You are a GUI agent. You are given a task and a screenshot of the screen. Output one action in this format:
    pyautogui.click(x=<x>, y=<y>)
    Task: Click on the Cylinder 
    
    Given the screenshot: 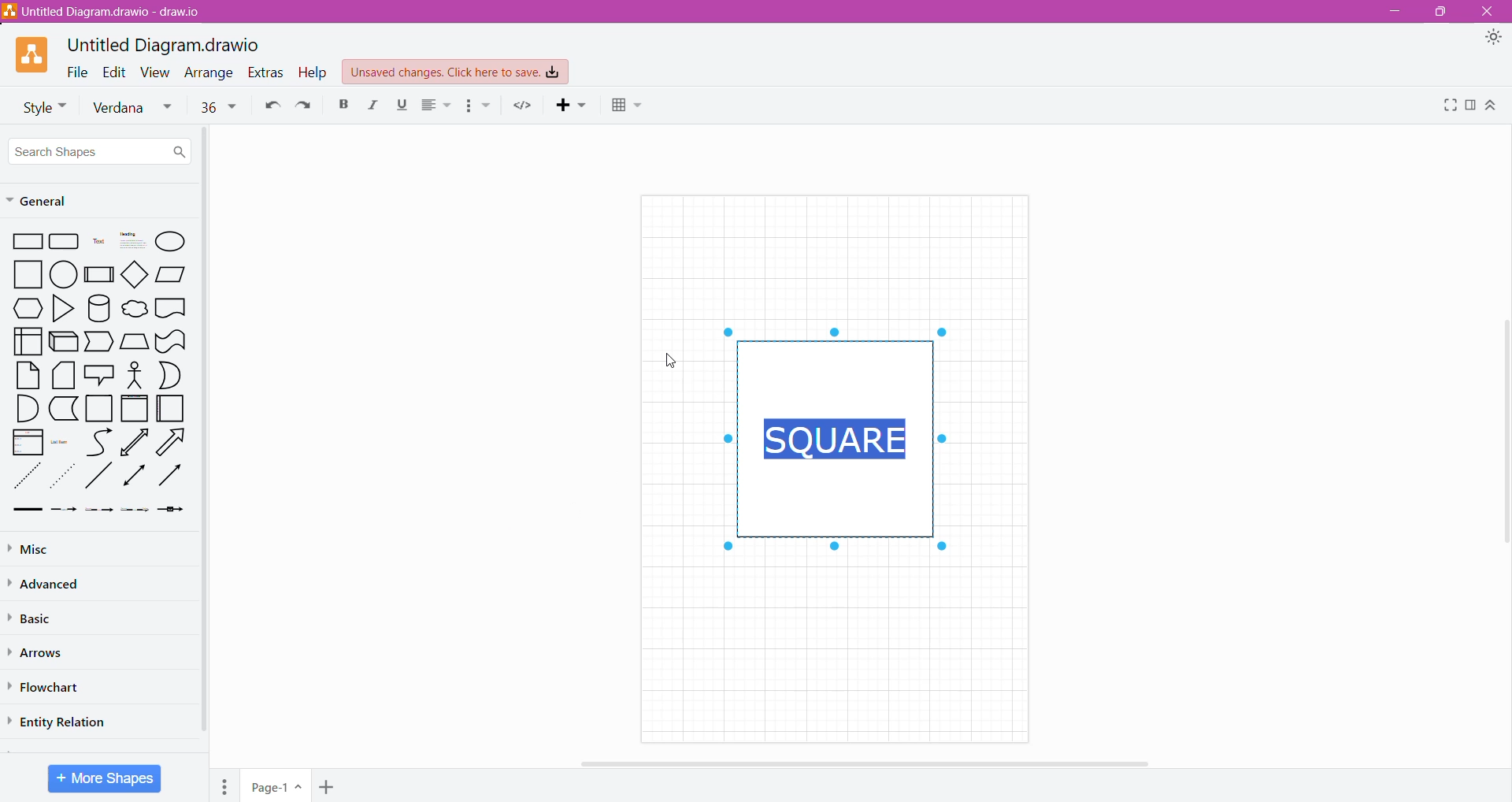 What is the action you would take?
    pyautogui.click(x=98, y=307)
    